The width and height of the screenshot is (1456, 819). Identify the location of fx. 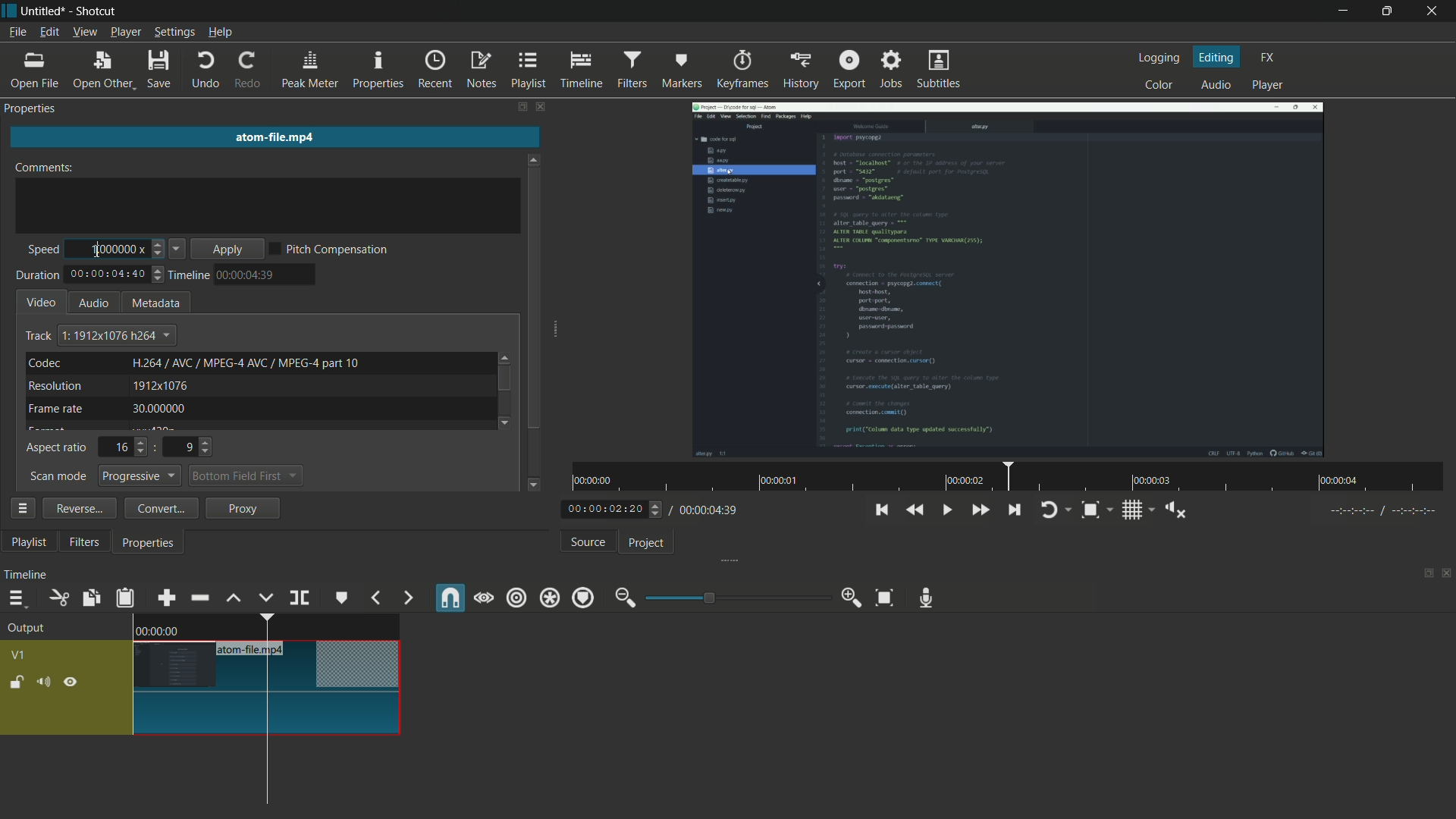
(1267, 58).